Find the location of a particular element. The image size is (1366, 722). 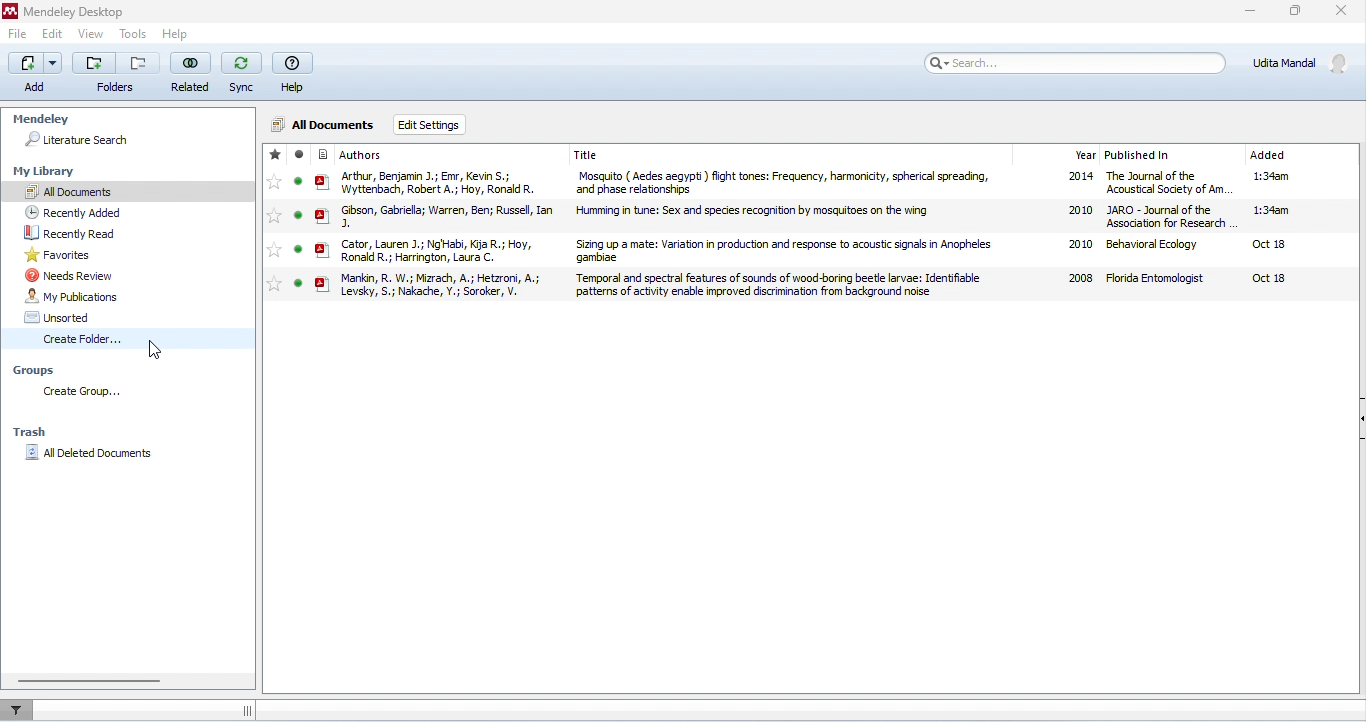

add to favorite is located at coordinates (274, 284).